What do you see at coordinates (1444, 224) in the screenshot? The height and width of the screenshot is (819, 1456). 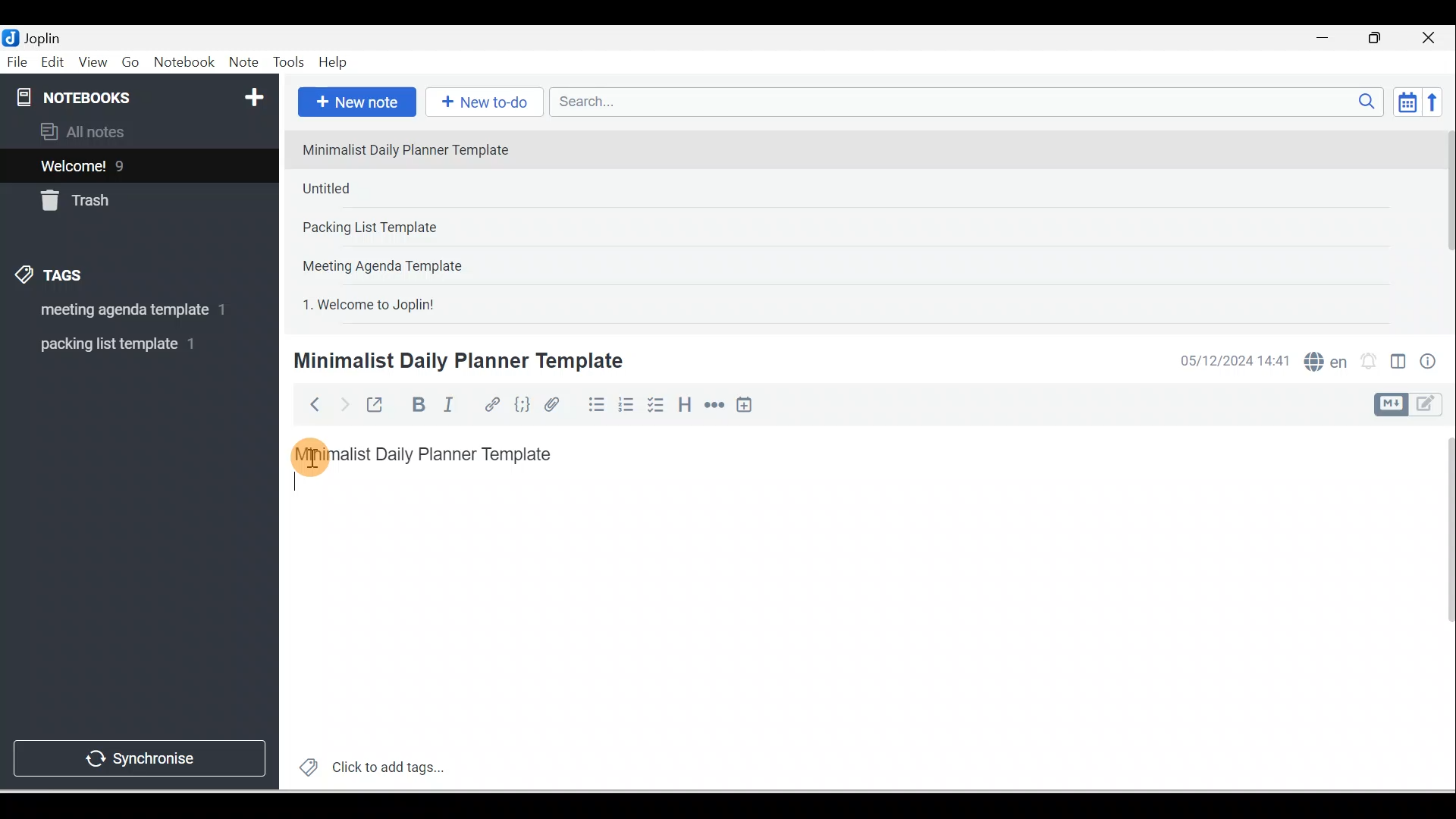 I see `Scroll bar` at bounding box center [1444, 224].